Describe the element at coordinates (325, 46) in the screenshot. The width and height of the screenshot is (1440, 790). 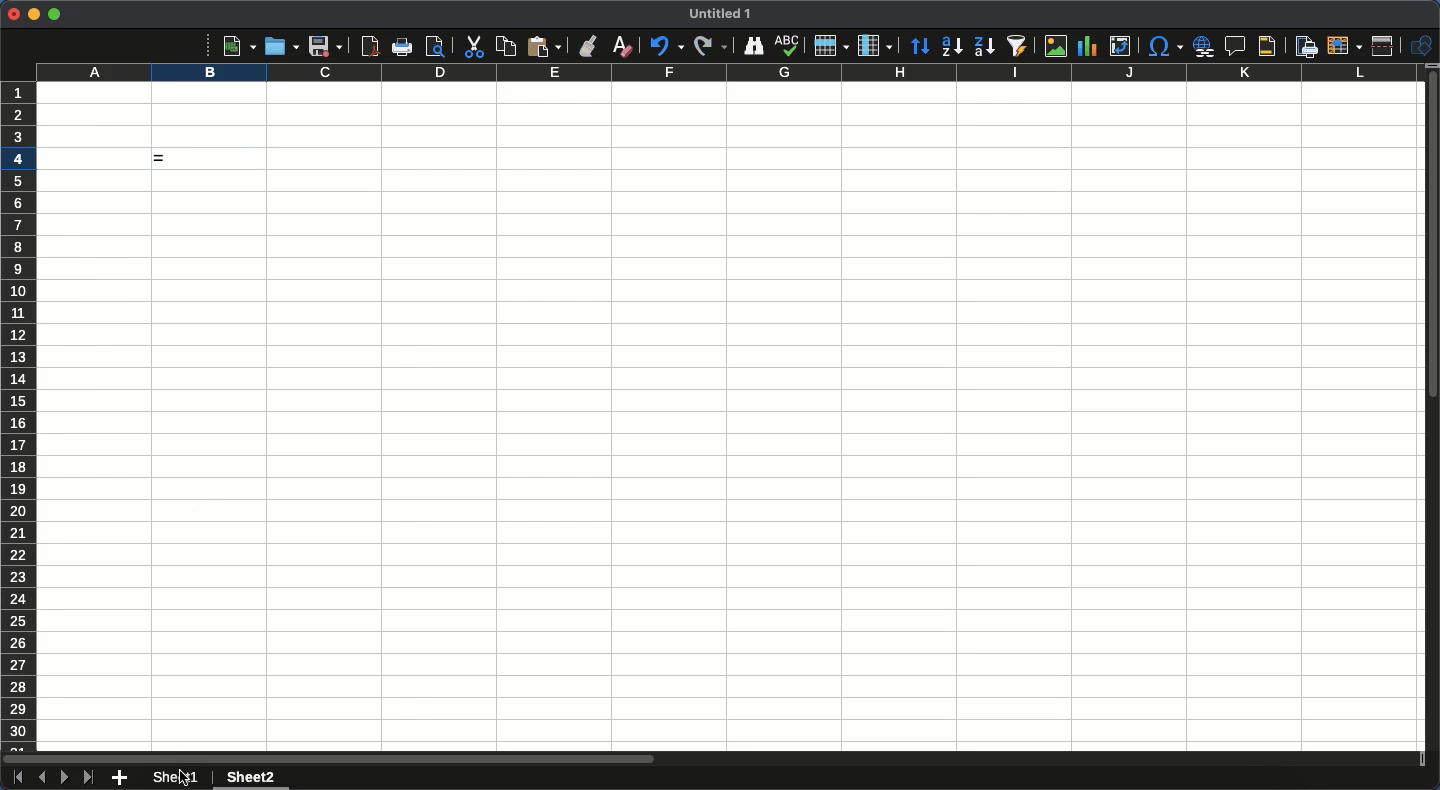
I see `Save` at that location.